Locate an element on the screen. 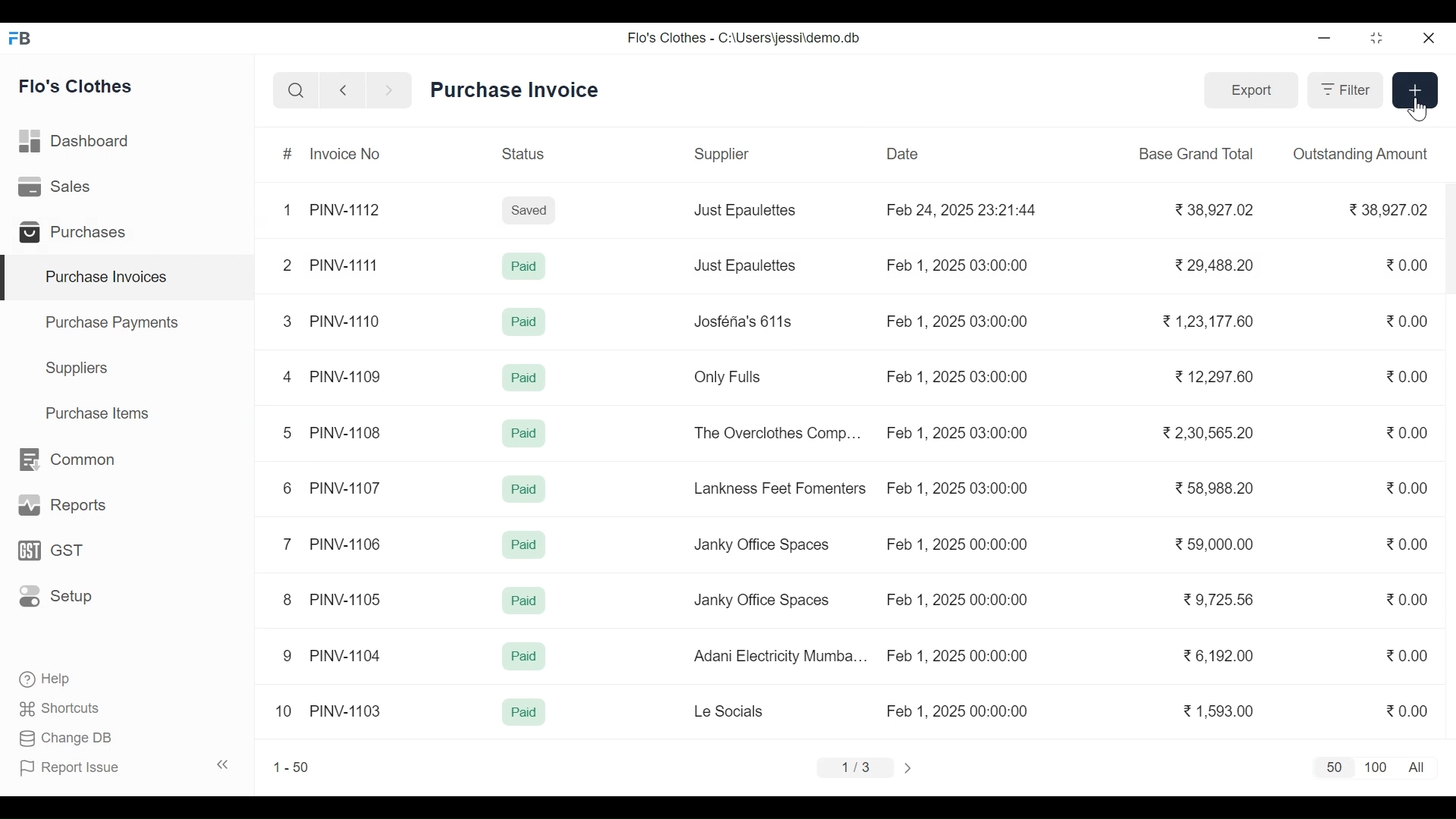 The height and width of the screenshot is (819, 1456). Dashboard is located at coordinates (82, 142).